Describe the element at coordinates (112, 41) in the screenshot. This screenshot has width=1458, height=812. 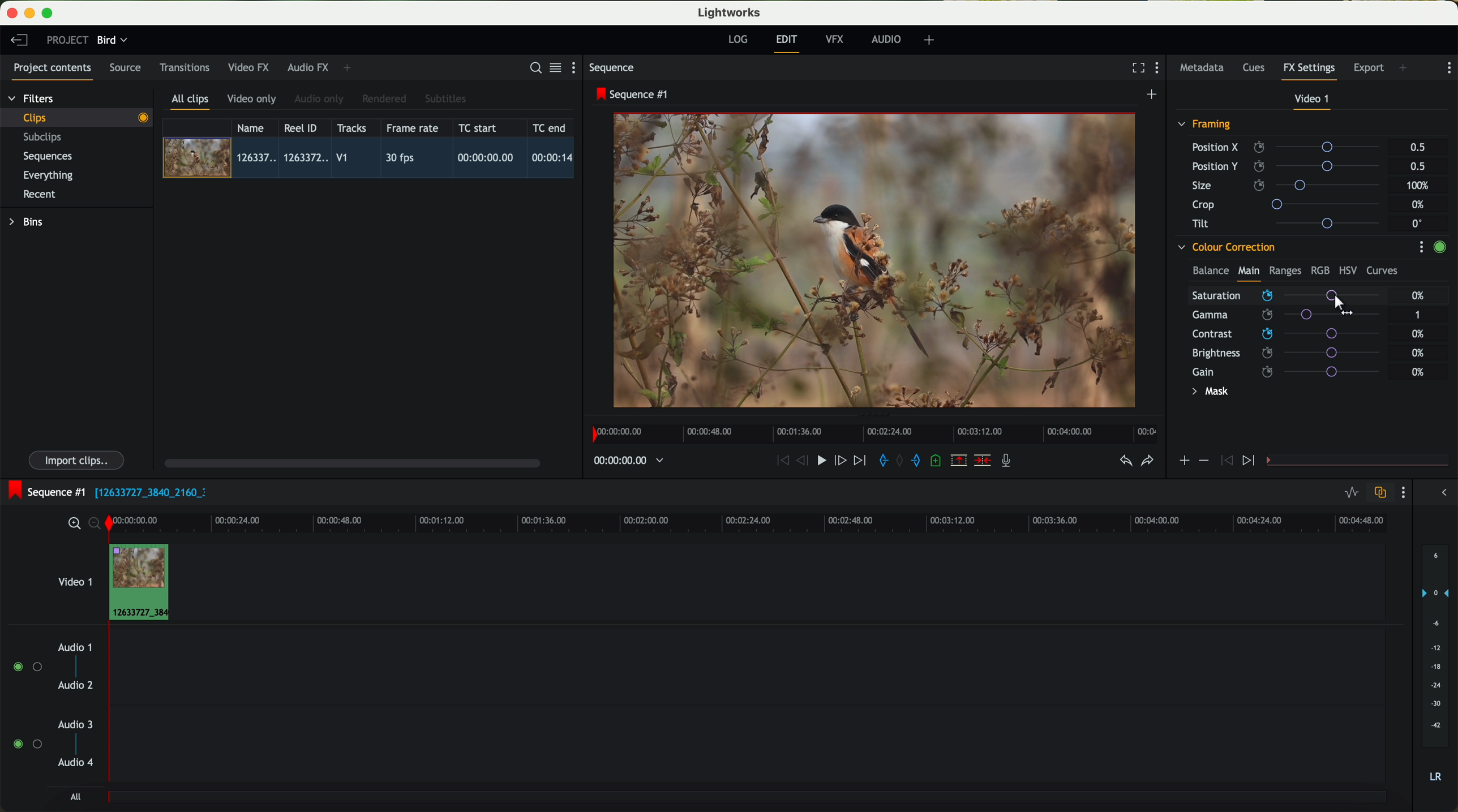
I see `bird` at that location.